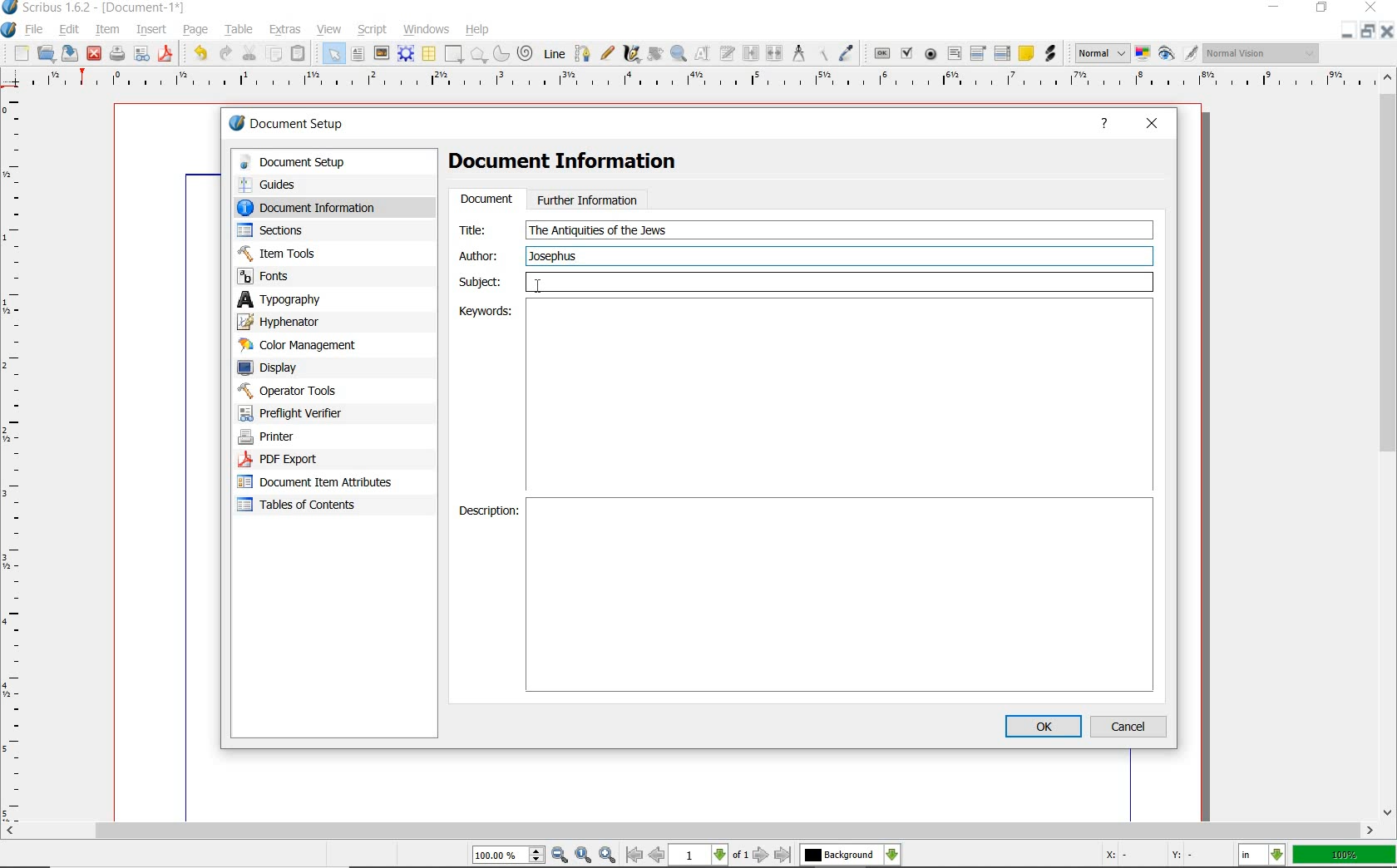 This screenshot has height=868, width=1397. Describe the element at coordinates (358, 54) in the screenshot. I see `text frame` at that location.